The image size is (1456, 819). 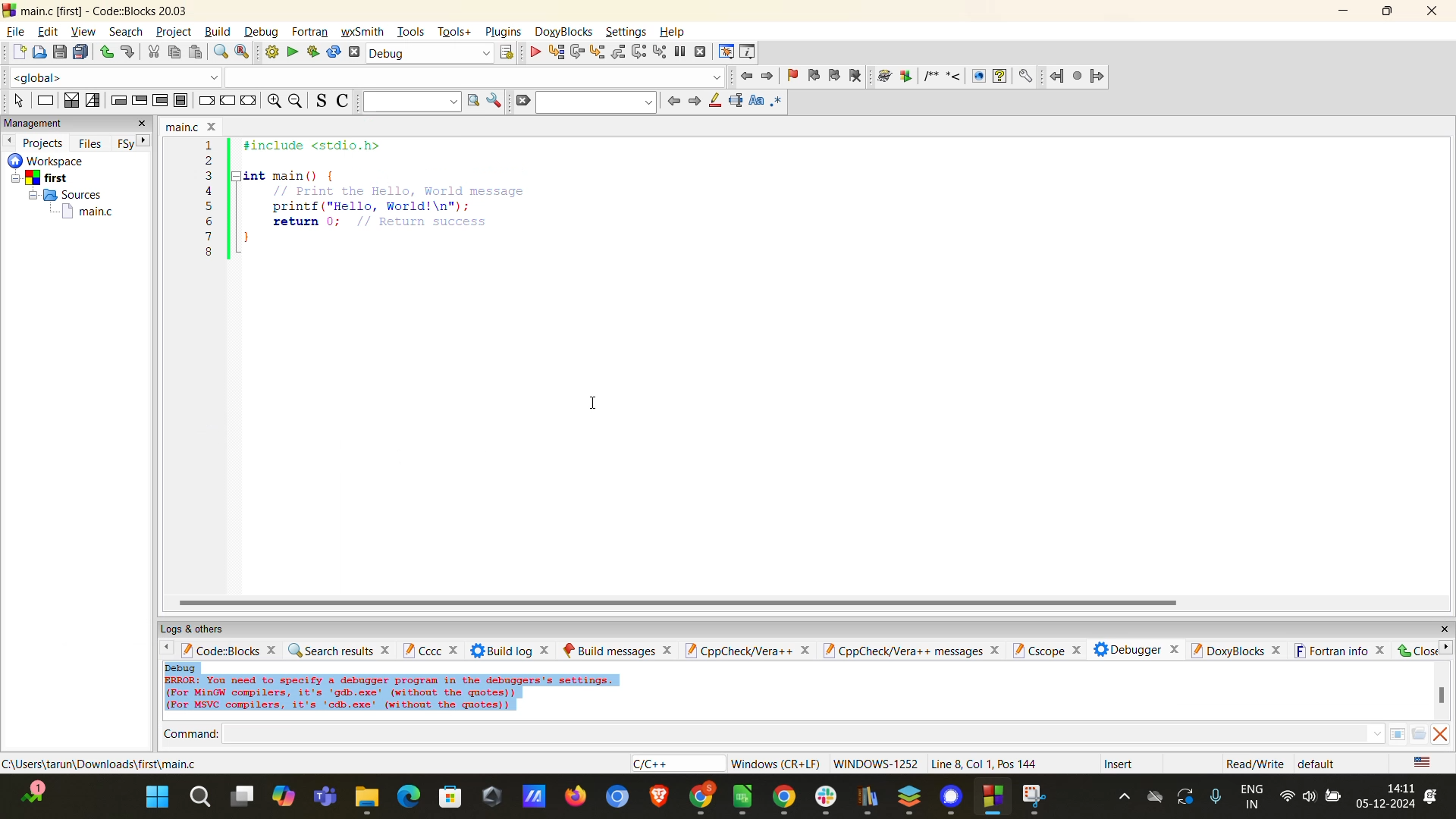 What do you see at coordinates (472, 102) in the screenshot?
I see `run search` at bounding box center [472, 102].